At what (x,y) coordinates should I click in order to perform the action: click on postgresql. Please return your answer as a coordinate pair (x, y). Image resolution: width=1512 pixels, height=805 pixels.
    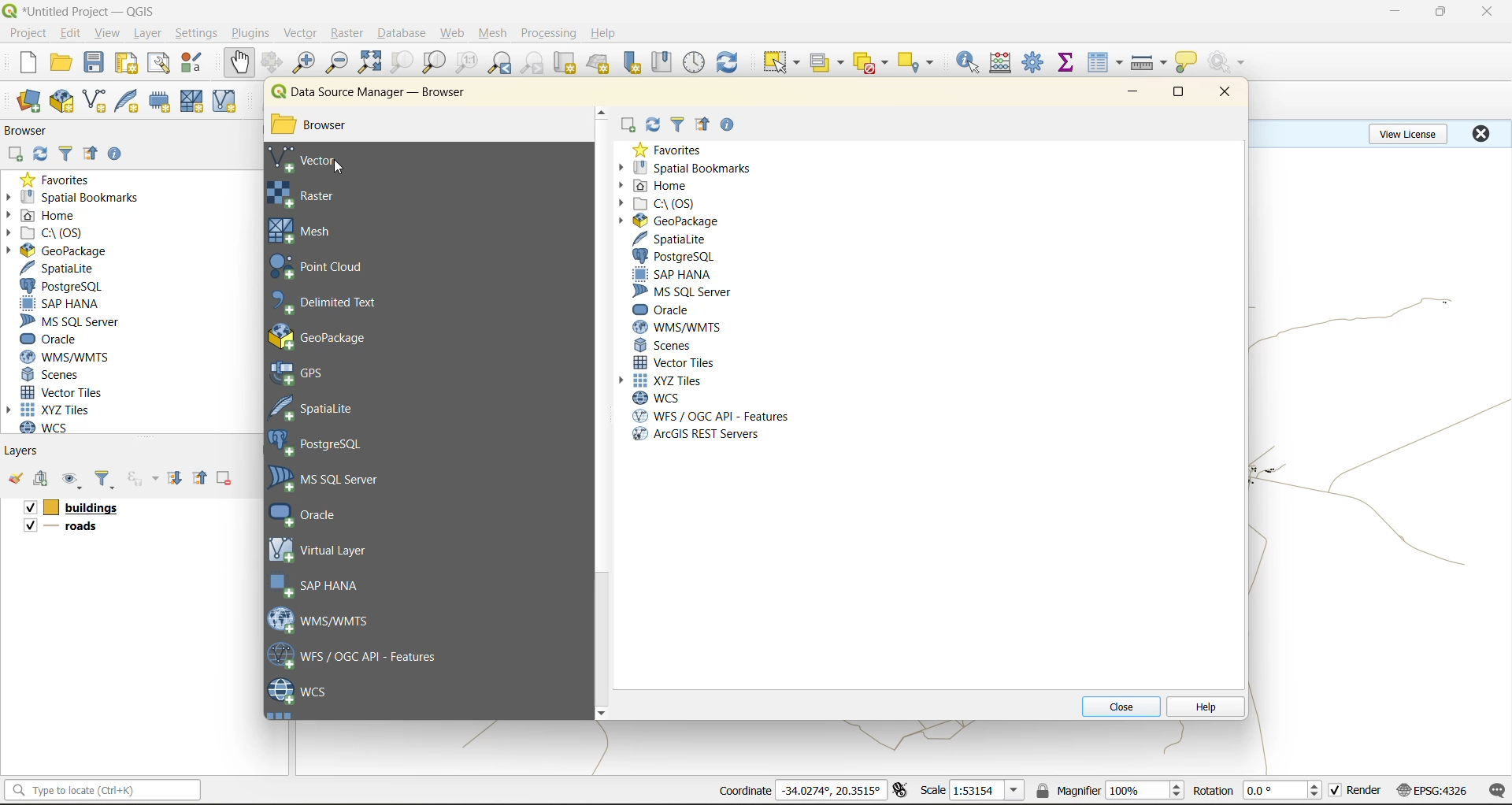
    Looking at the image, I should click on (324, 445).